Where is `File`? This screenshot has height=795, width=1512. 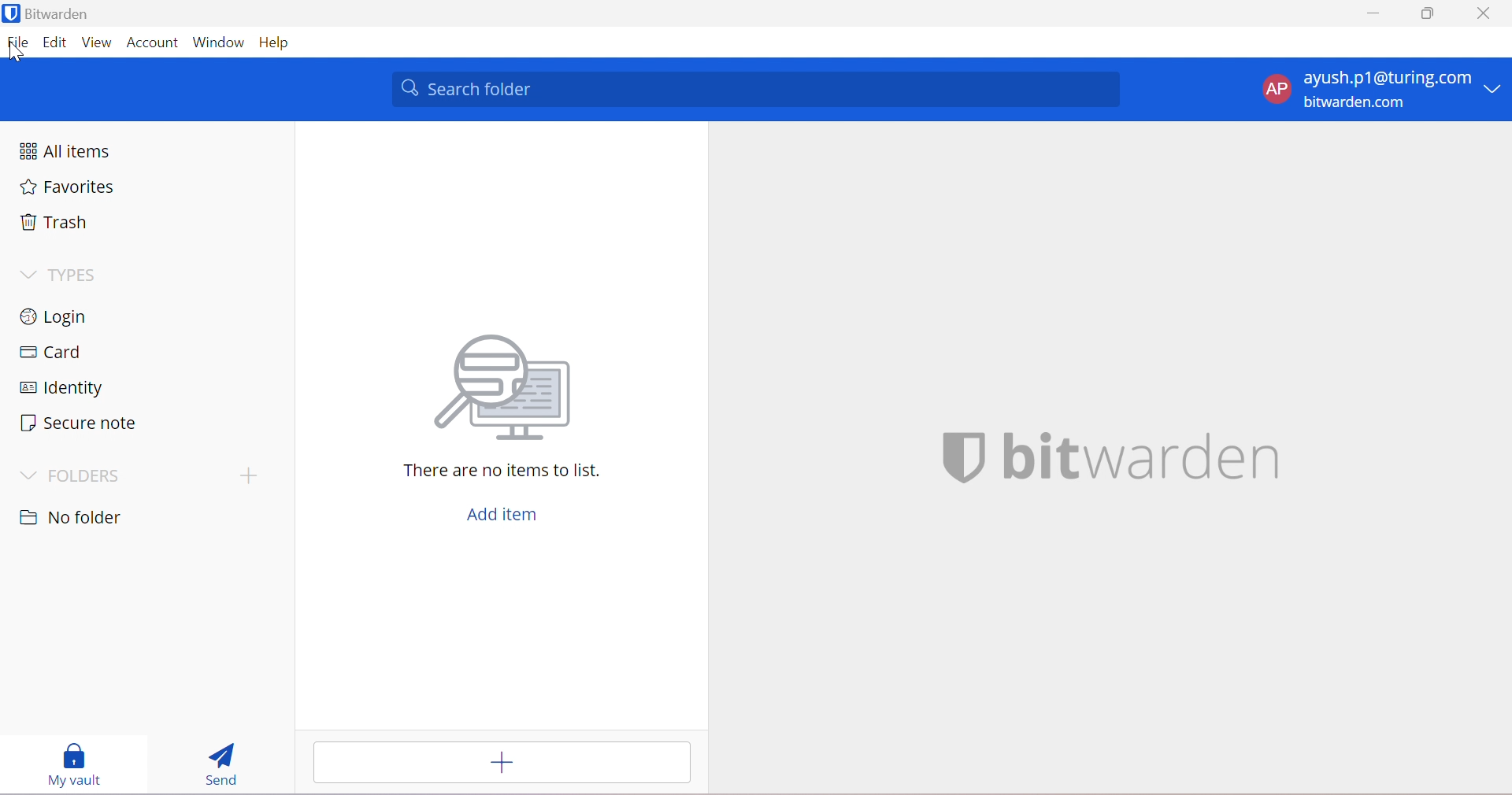
File is located at coordinates (17, 45).